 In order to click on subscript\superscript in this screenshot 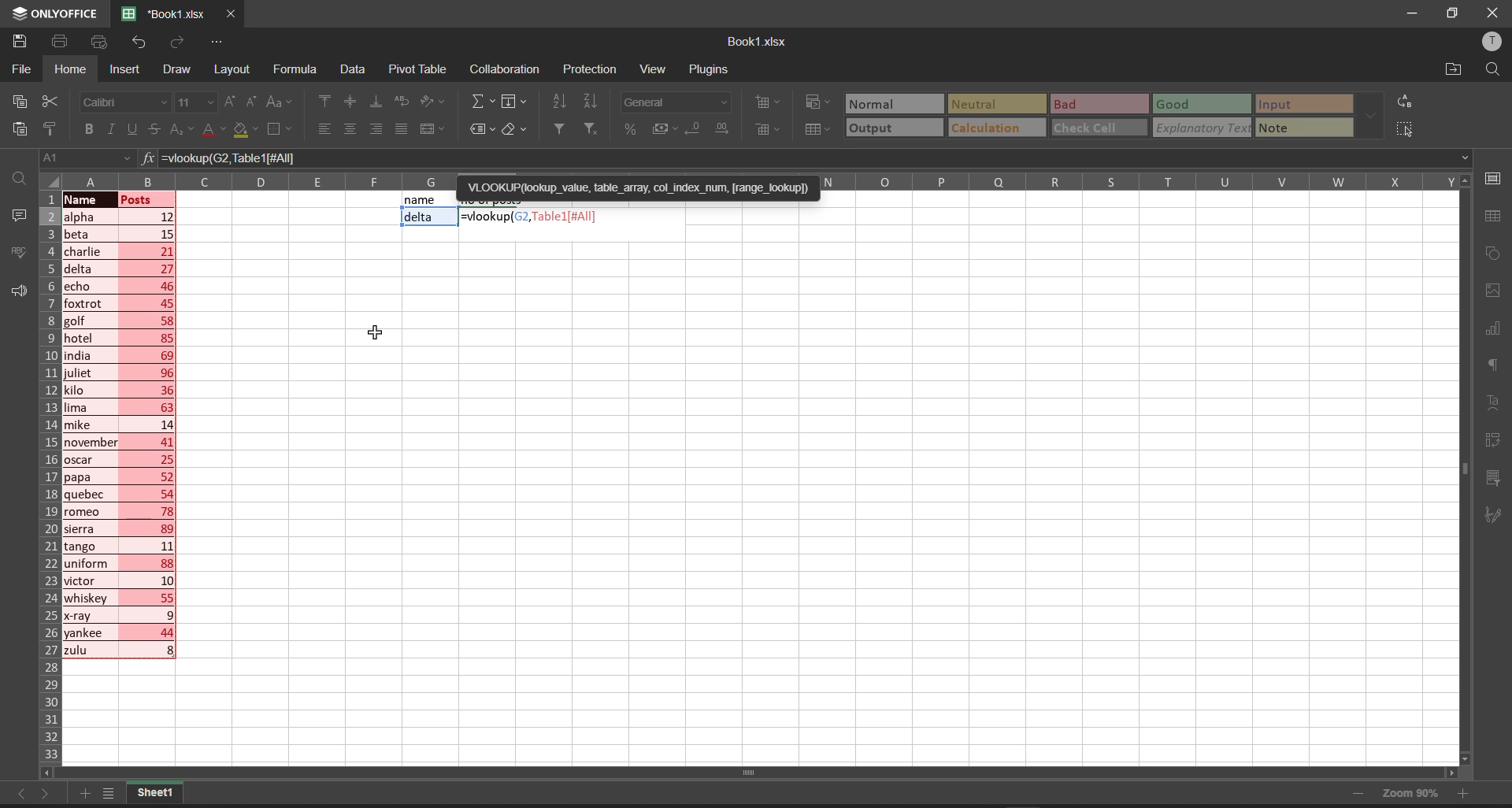, I will do `click(180, 127)`.